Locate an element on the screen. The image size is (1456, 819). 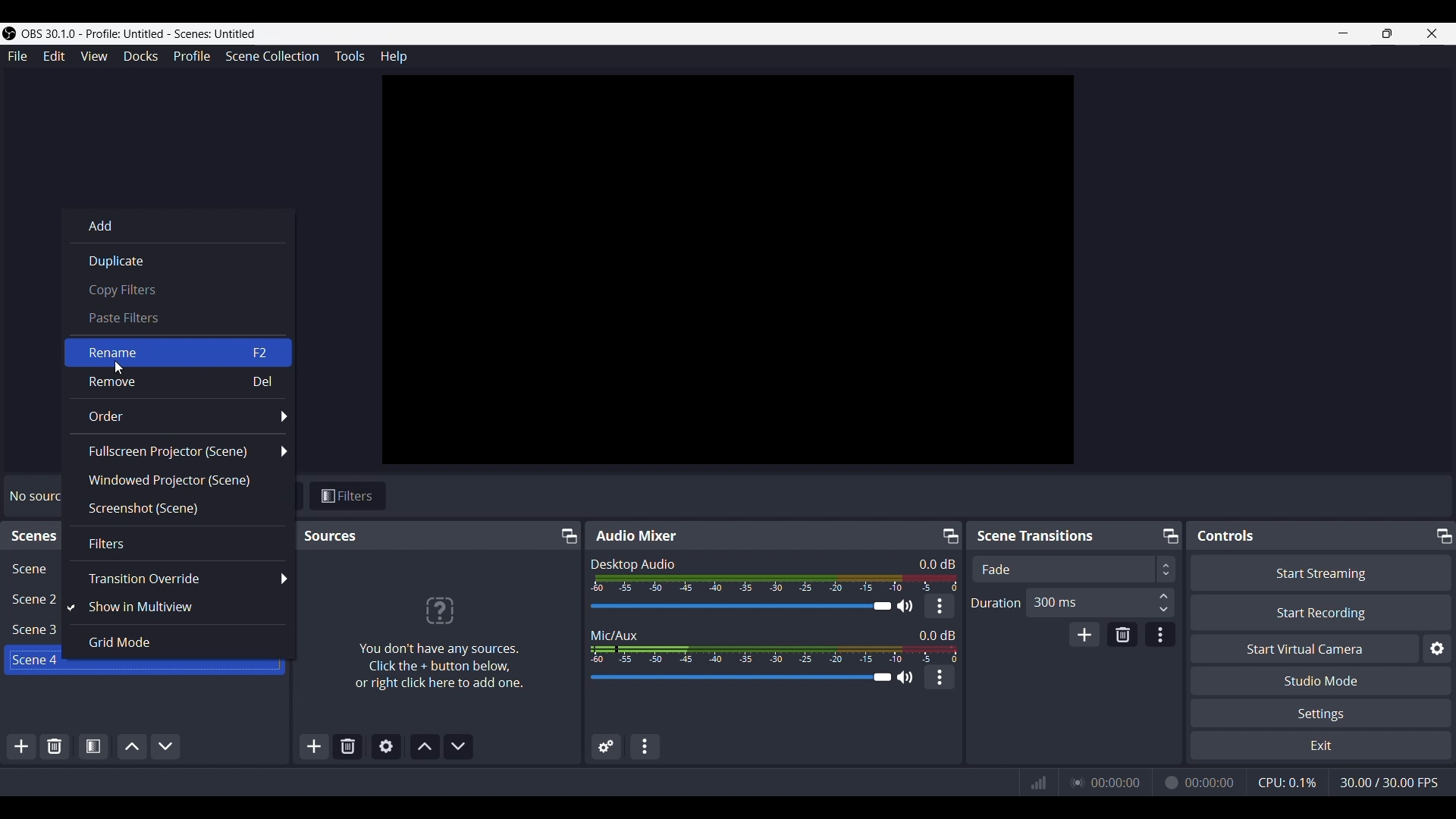
Duration is located at coordinates (996, 604).